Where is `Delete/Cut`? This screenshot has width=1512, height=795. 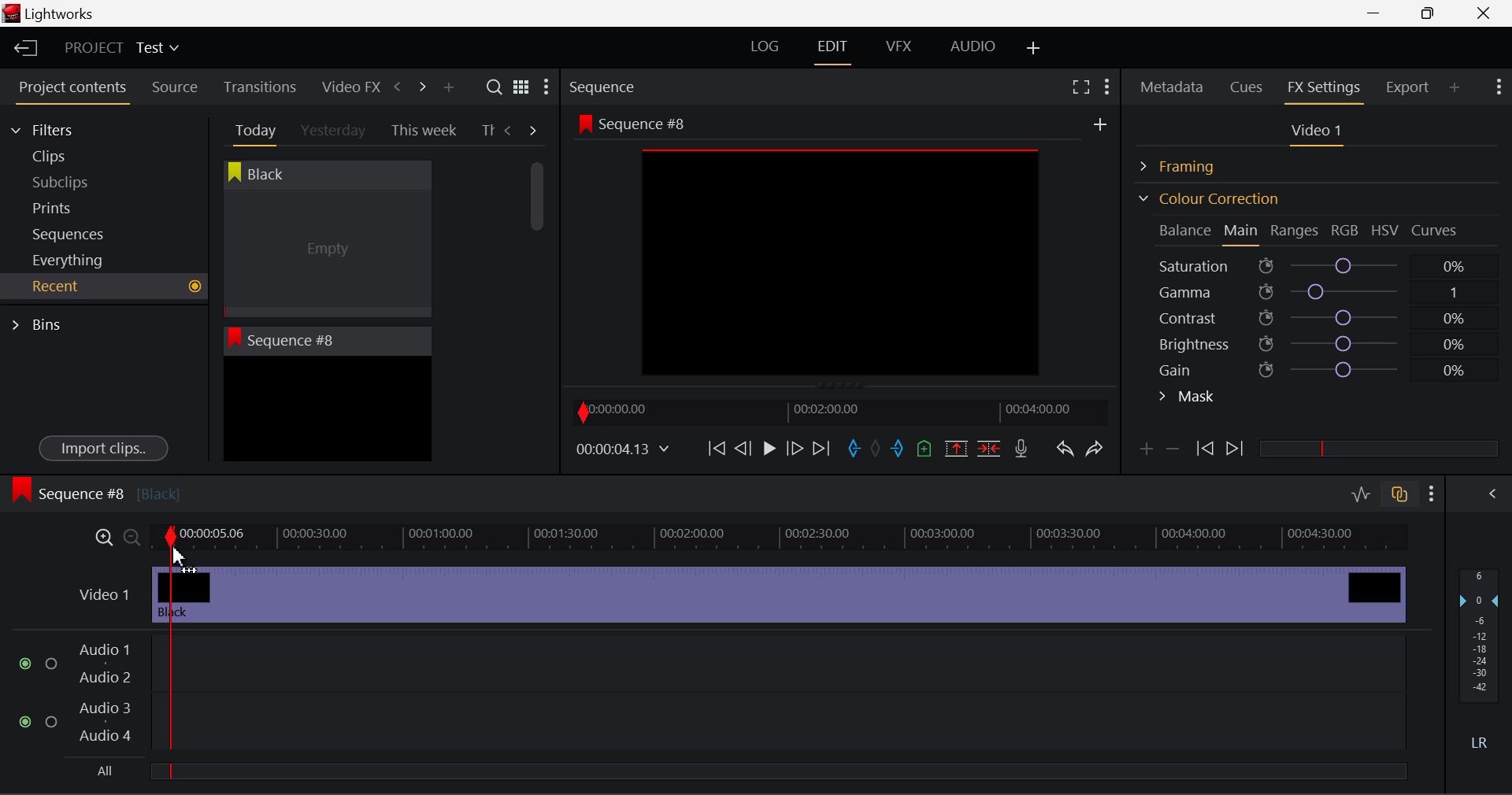 Delete/Cut is located at coordinates (989, 448).